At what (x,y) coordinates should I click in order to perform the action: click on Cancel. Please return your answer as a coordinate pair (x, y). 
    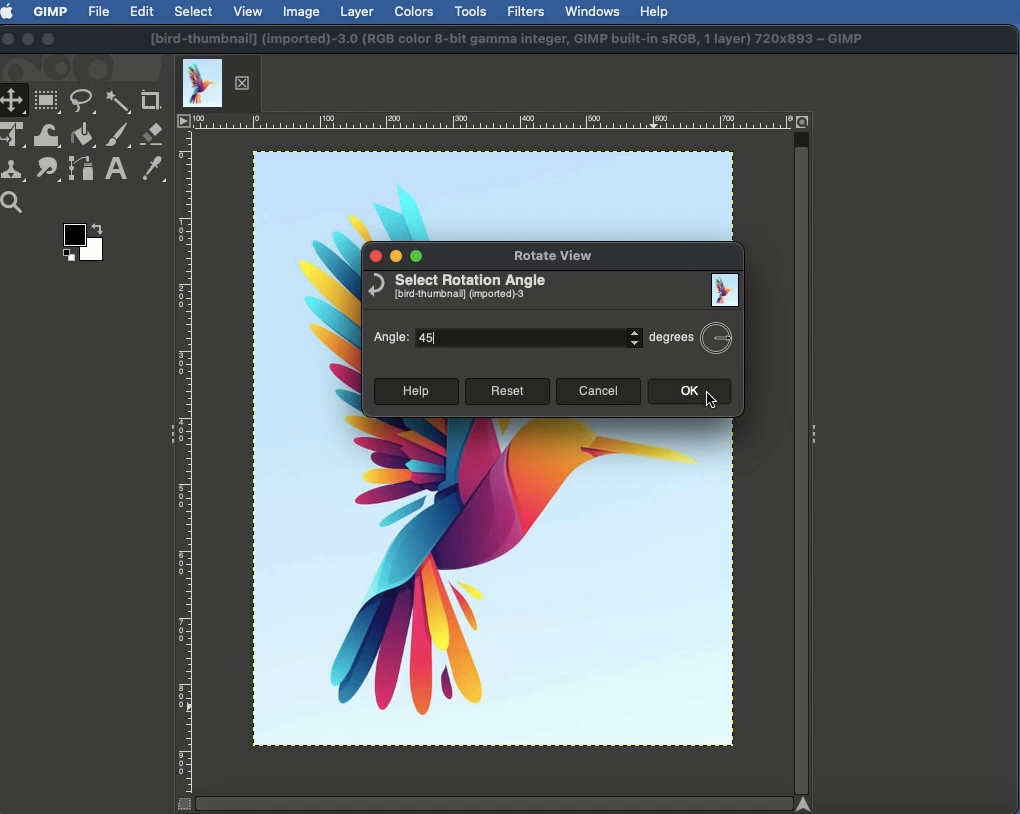
    Looking at the image, I should click on (598, 392).